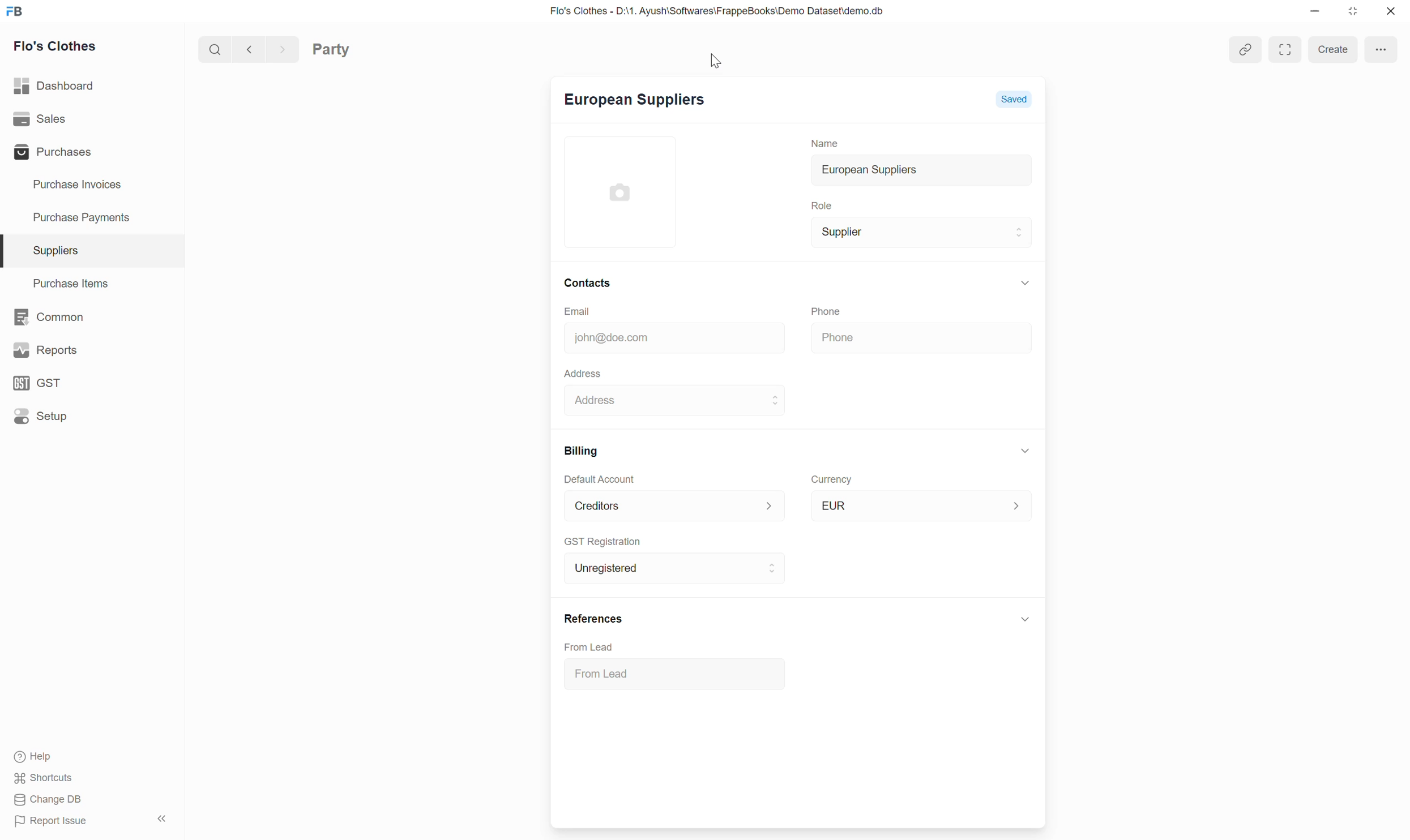  What do you see at coordinates (841, 574) in the screenshot?
I see `Create` at bounding box center [841, 574].